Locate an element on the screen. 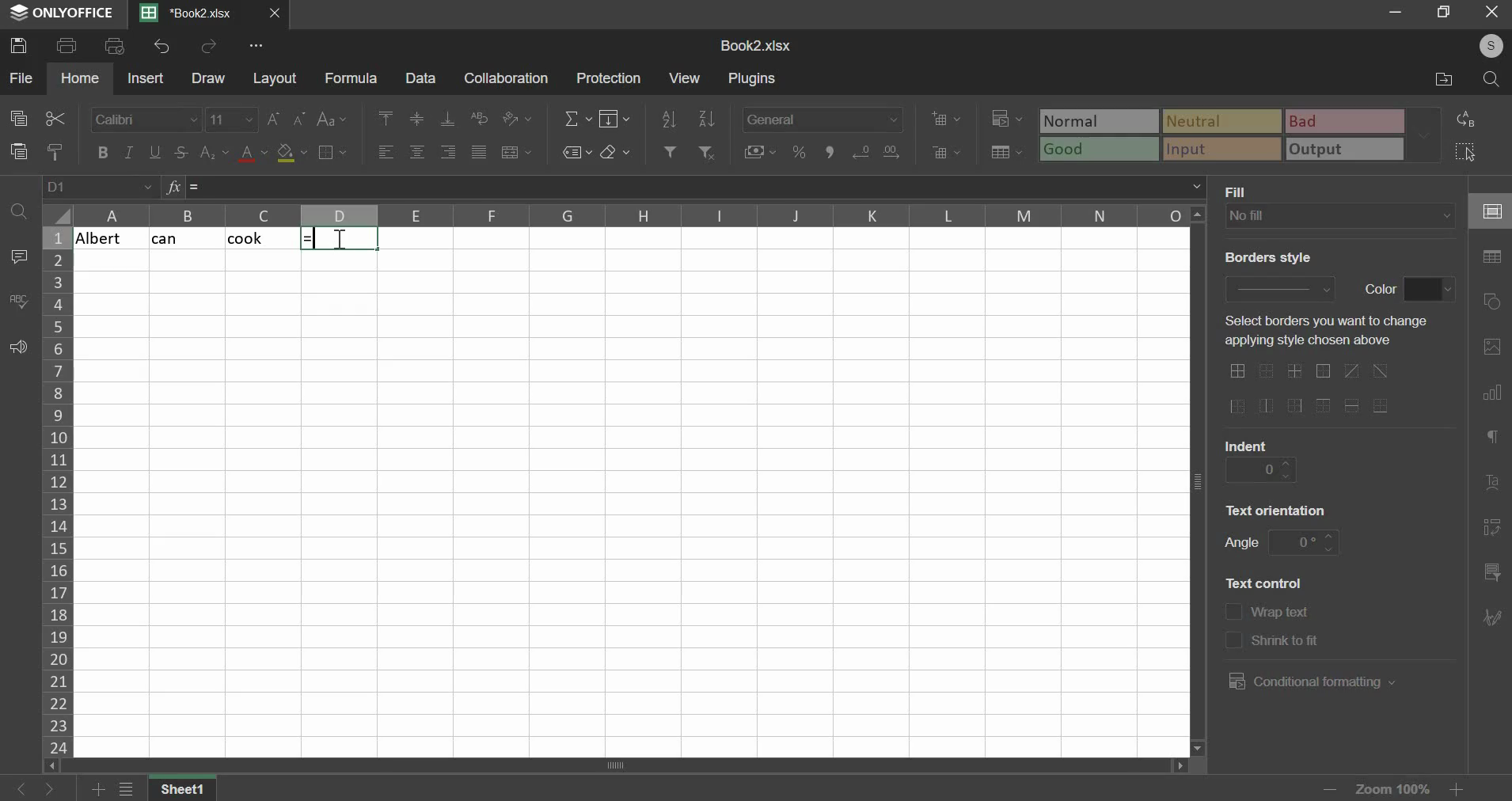 Image resolution: width=1512 pixels, height=801 pixels. add filter is located at coordinates (668, 150).